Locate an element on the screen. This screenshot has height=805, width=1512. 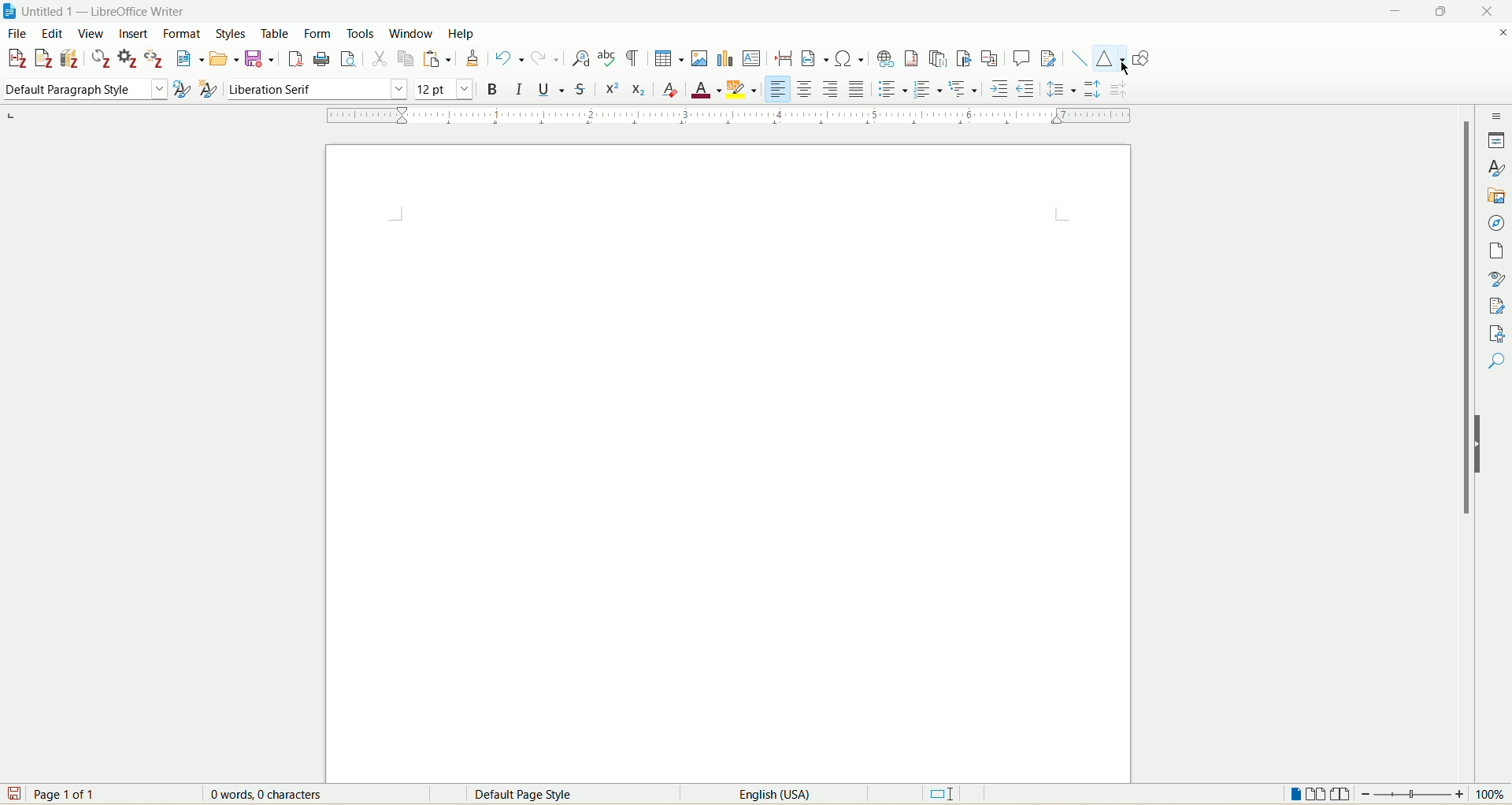
refresh is located at coordinates (102, 59).